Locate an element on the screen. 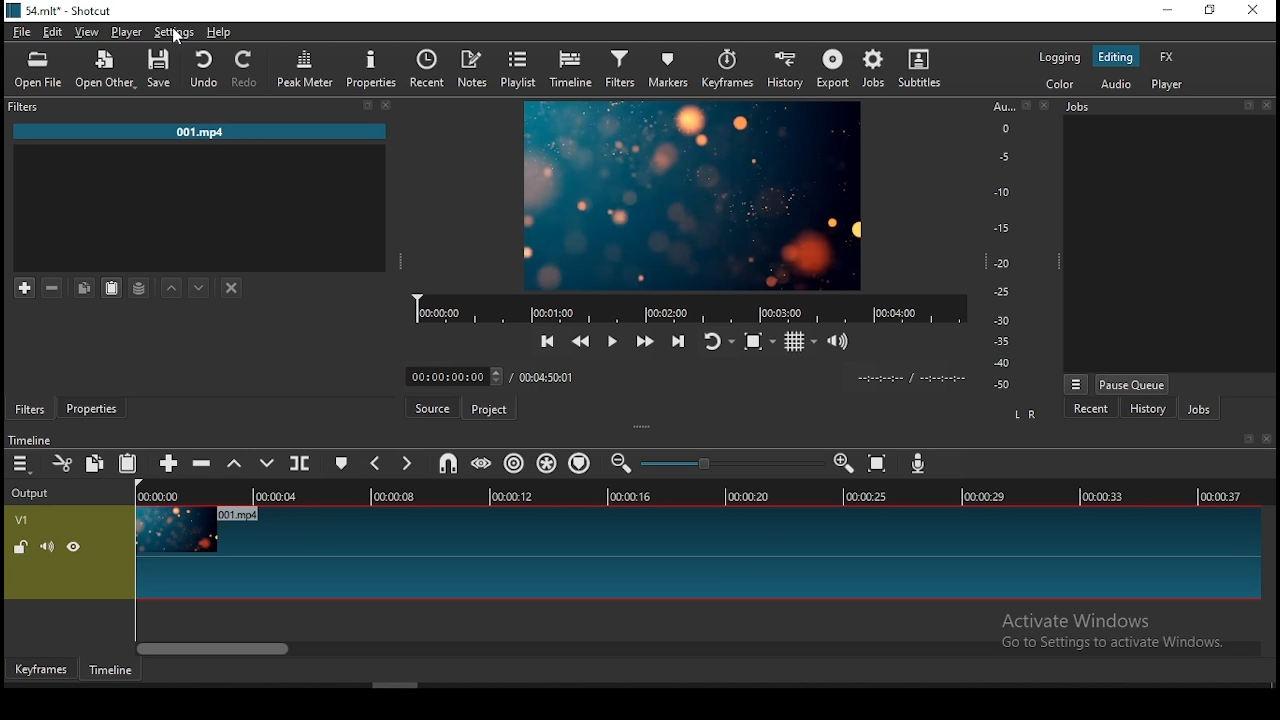  properties is located at coordinates (90, 405).